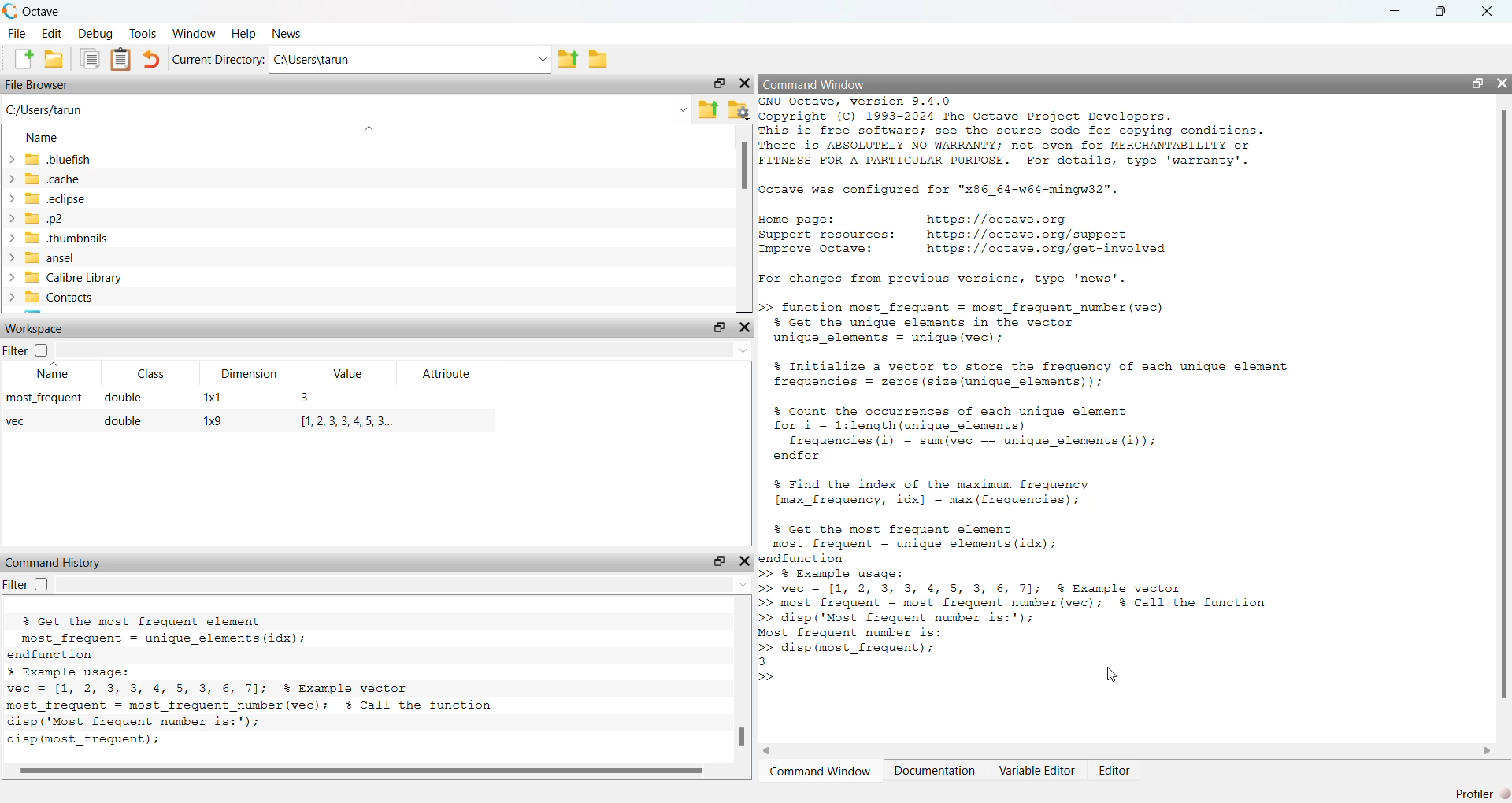  Describe the element at coordinates (682, 109) in the screenshot. I see `Enter the path or filename` at that location.